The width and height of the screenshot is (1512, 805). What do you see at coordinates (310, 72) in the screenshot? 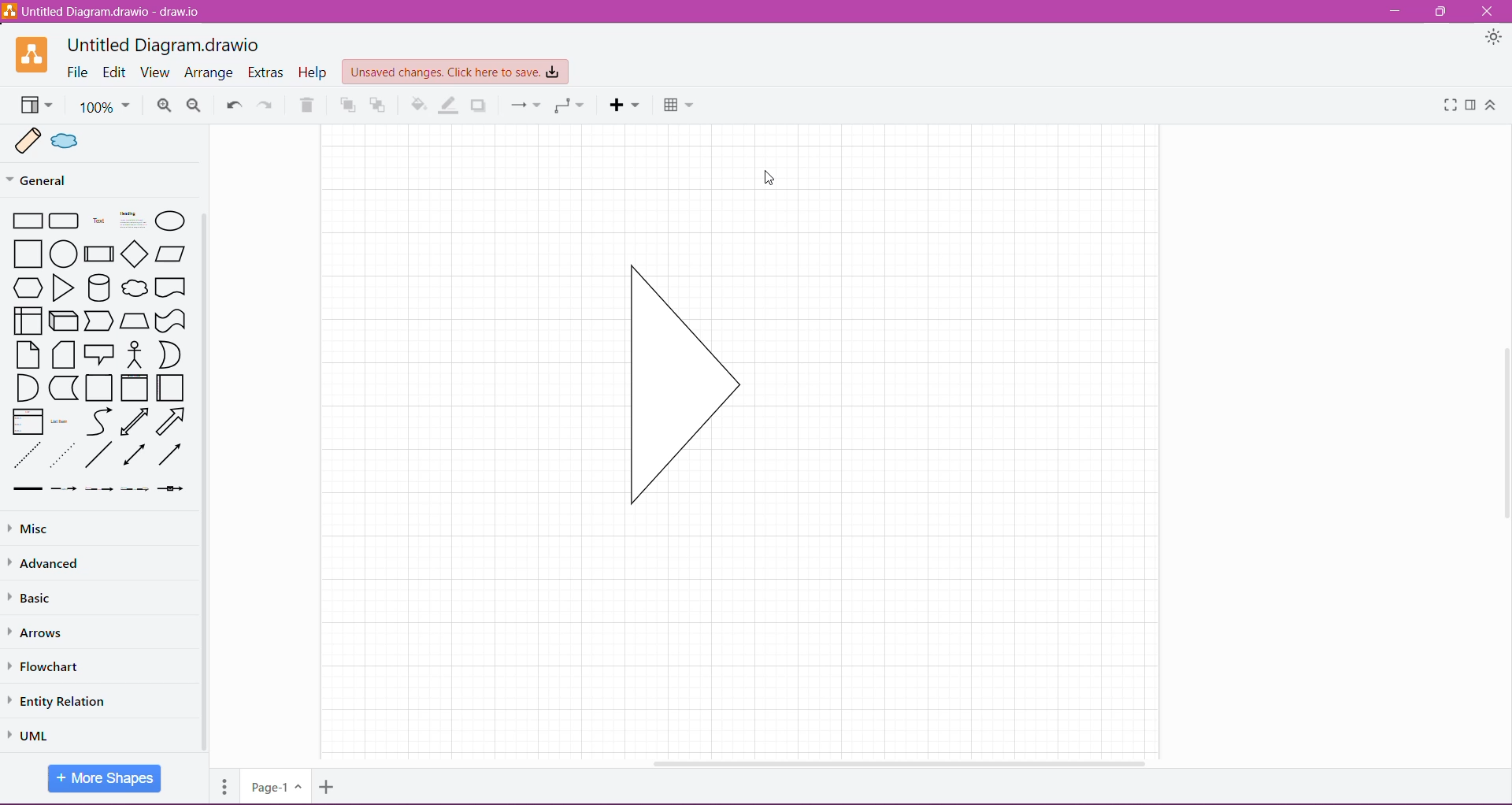
I see `Help` at bounding box center [310, 72].